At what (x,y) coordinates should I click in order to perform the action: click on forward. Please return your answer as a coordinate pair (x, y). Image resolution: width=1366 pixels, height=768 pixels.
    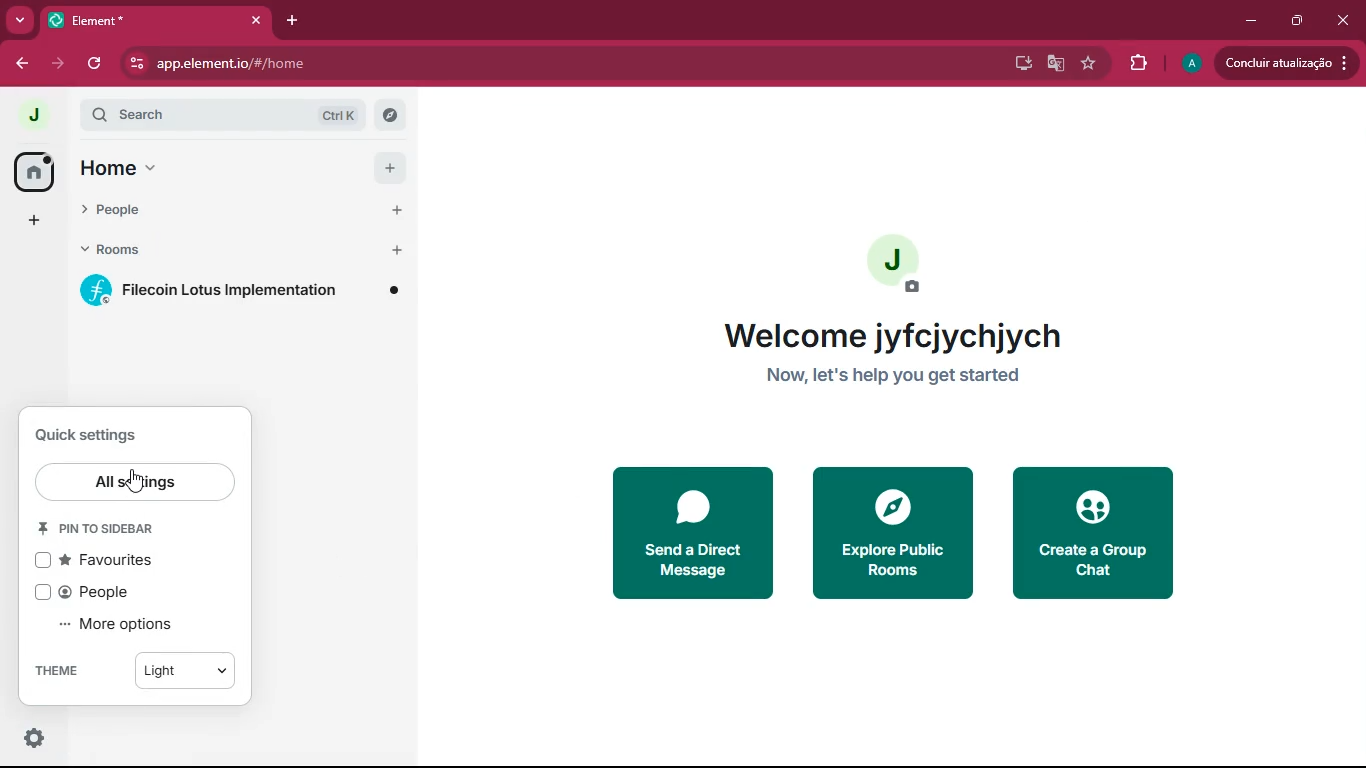
    Looking at the image, I should click on (58, 66).